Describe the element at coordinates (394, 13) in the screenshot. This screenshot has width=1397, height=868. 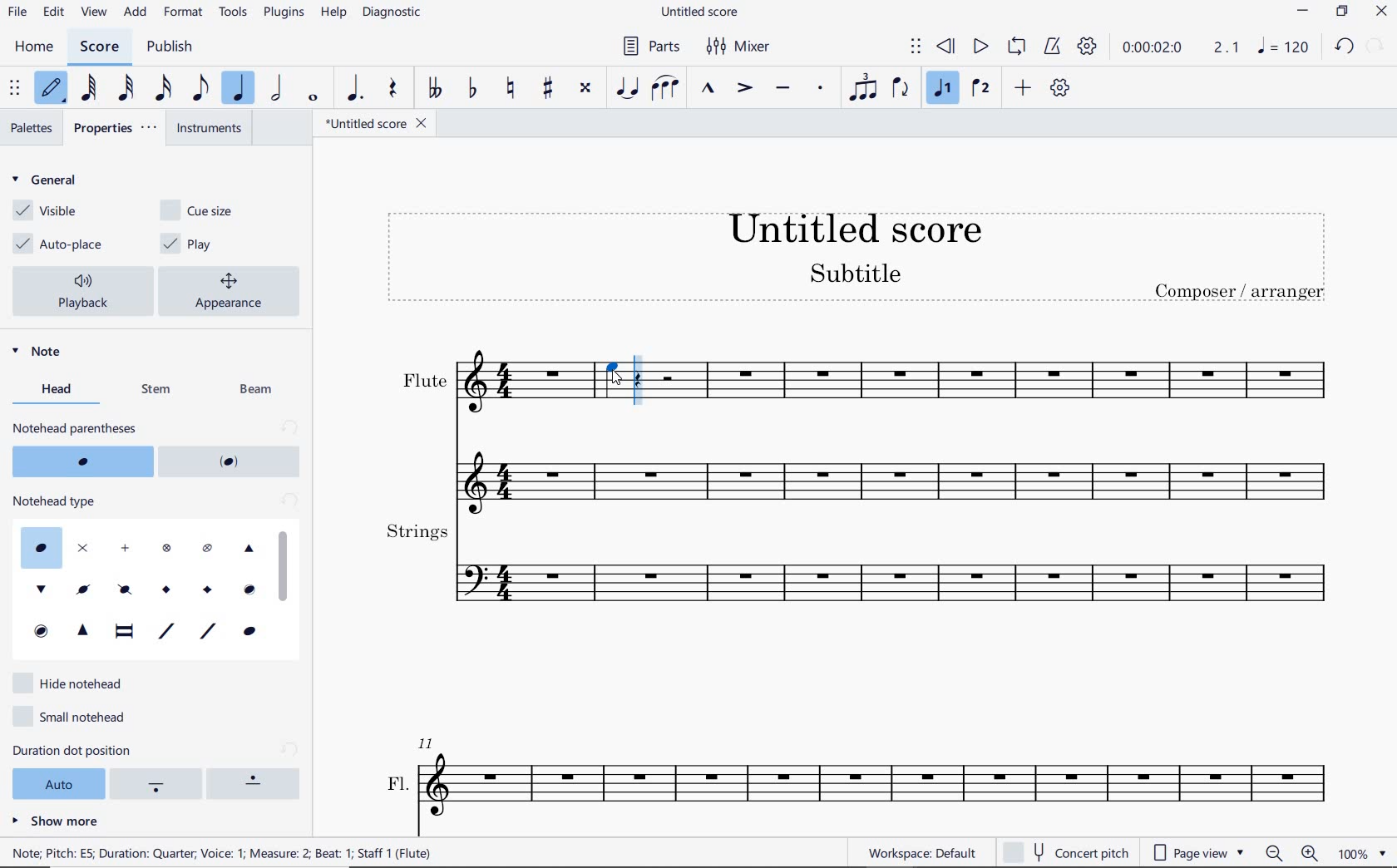
I see `DIAGNOSTIC` at that location.